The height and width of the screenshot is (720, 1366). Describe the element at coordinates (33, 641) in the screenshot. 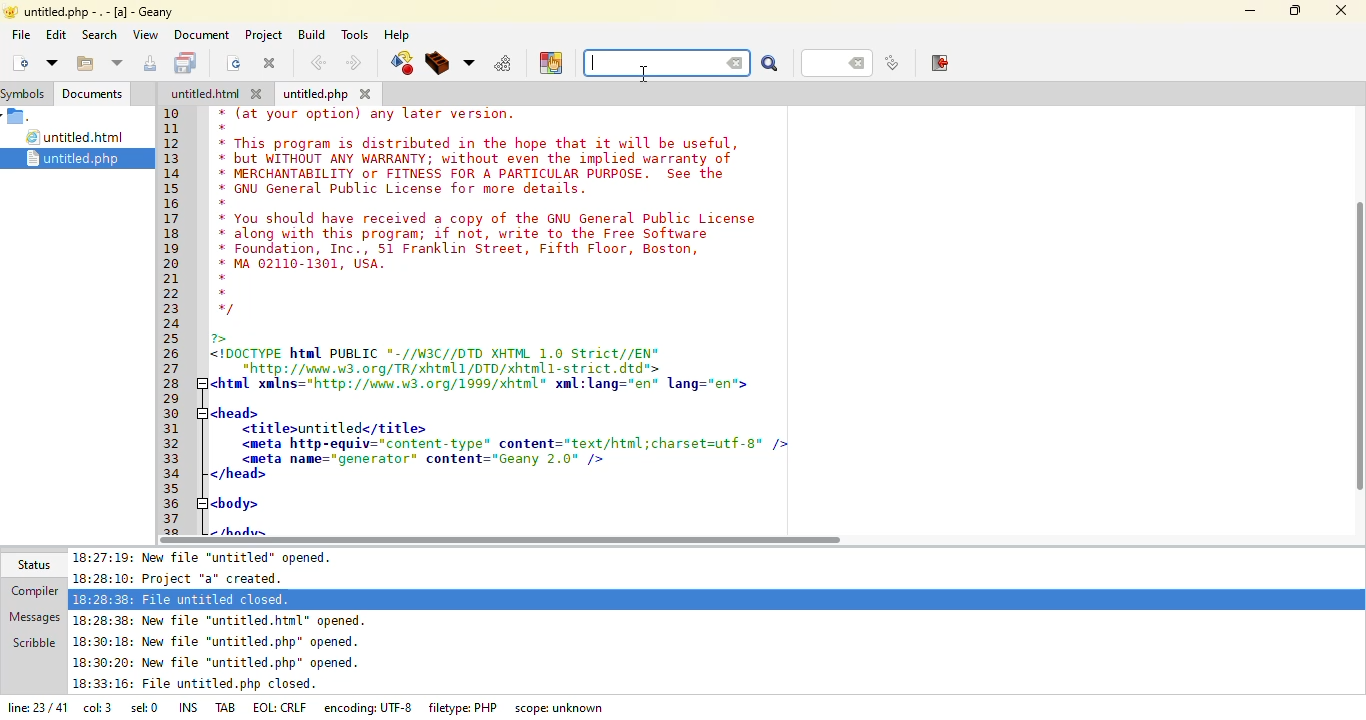

I see `scribble` at that location.